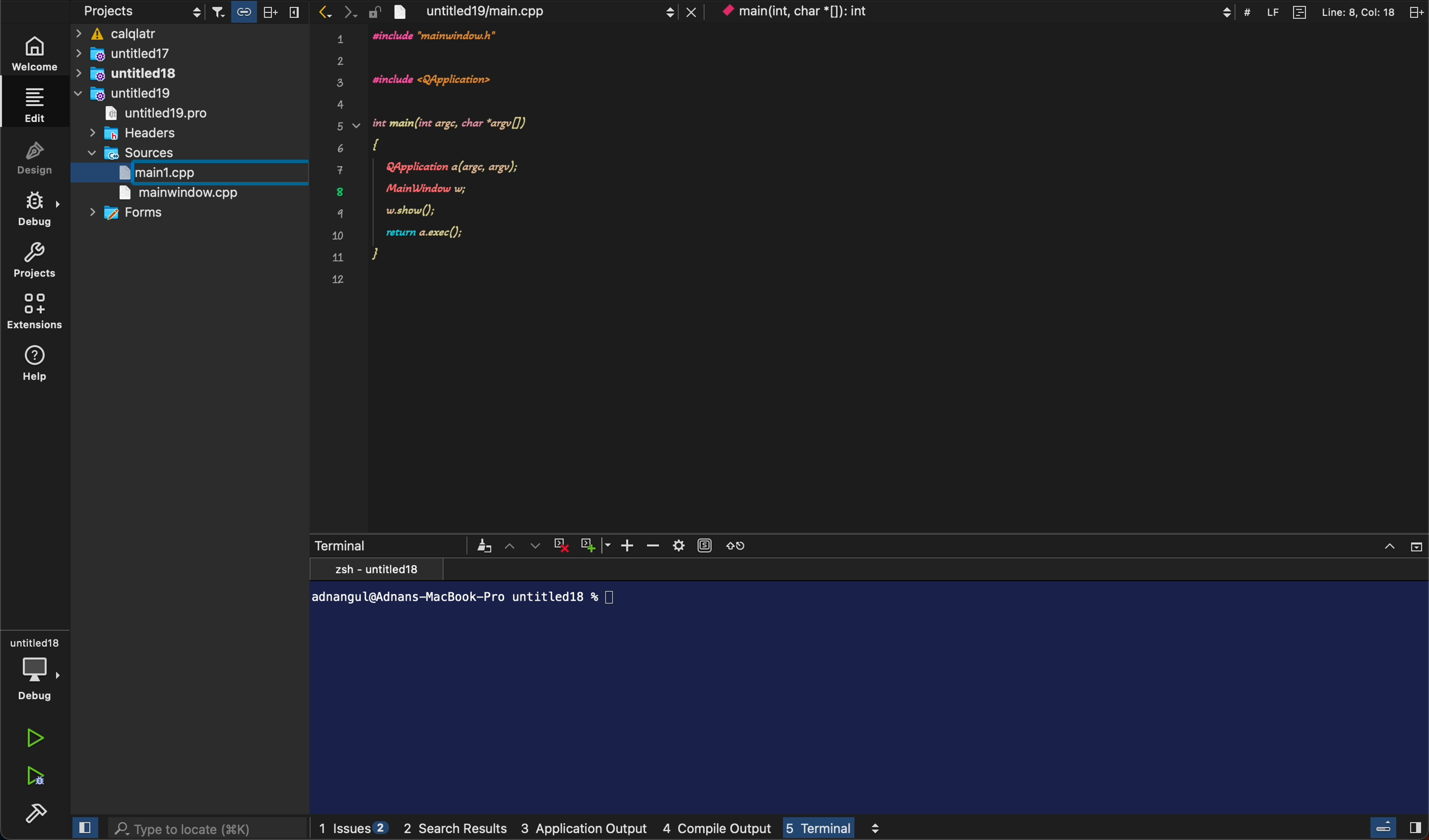 This screenshot has height=840, width=1429. Describe the element at coordinates (610, 829) in the screenshot. I see `logs` at that location.